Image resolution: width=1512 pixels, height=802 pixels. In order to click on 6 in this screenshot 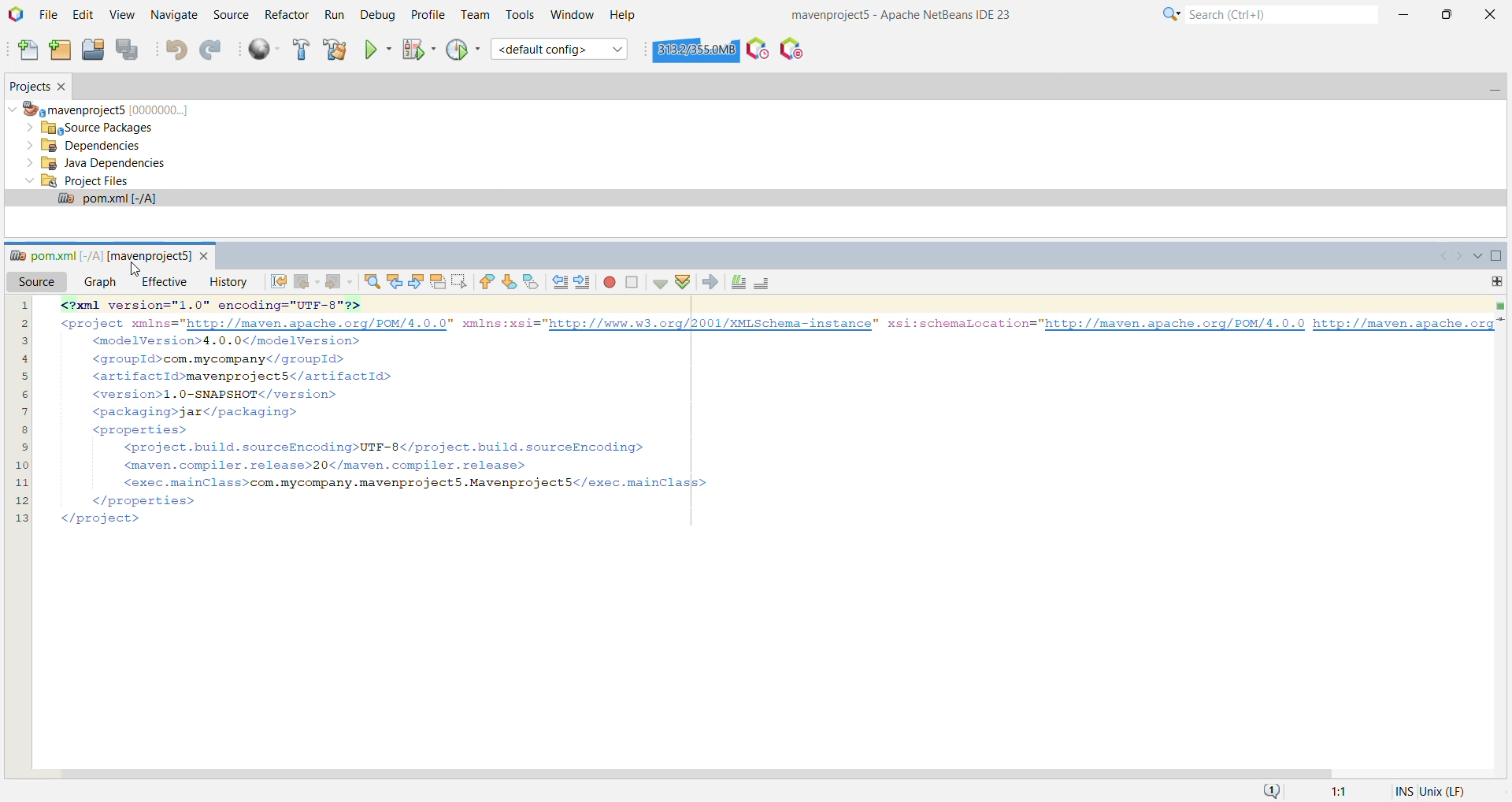, I will do `click(20, 392)`.